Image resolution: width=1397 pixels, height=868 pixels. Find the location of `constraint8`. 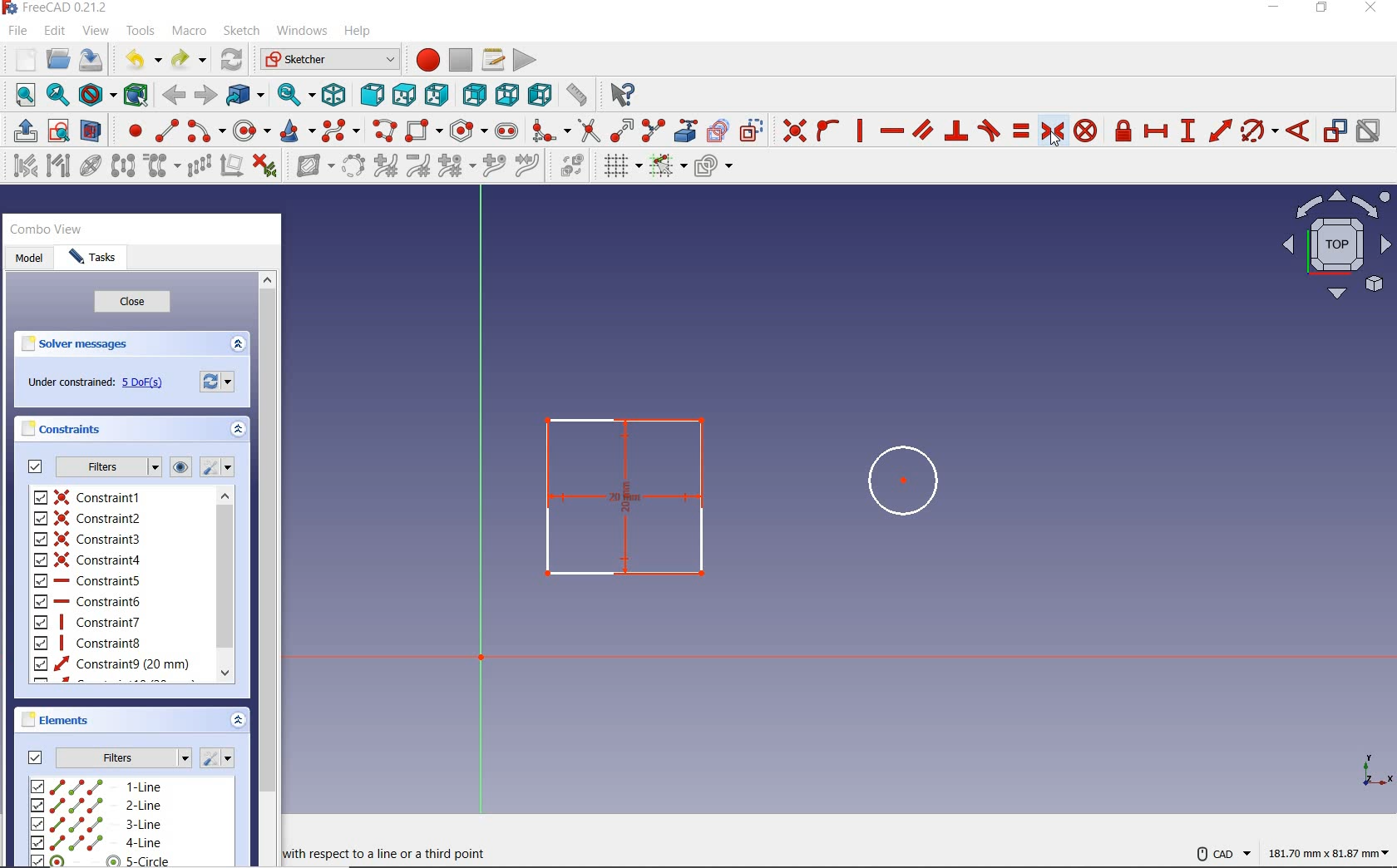

constraint8 is located at coordinates (90, 643).